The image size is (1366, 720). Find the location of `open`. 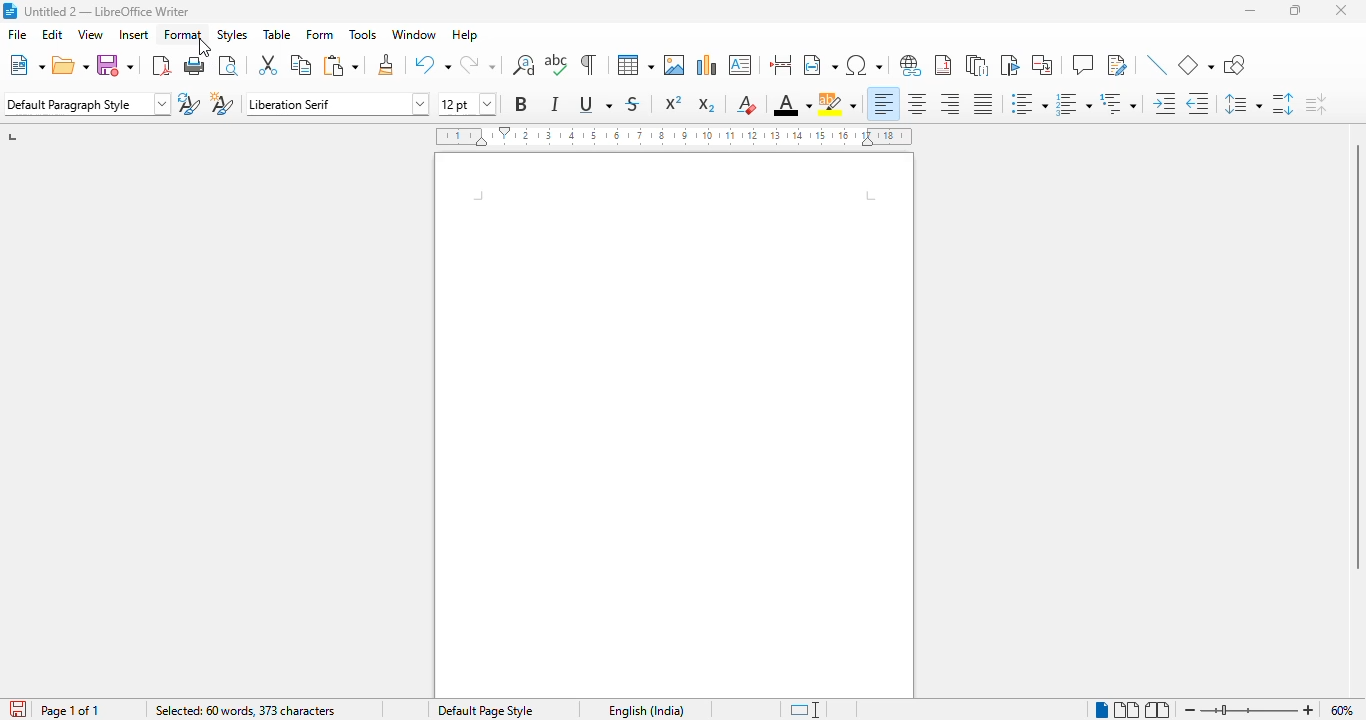

open is located at coordinates (71, 65).